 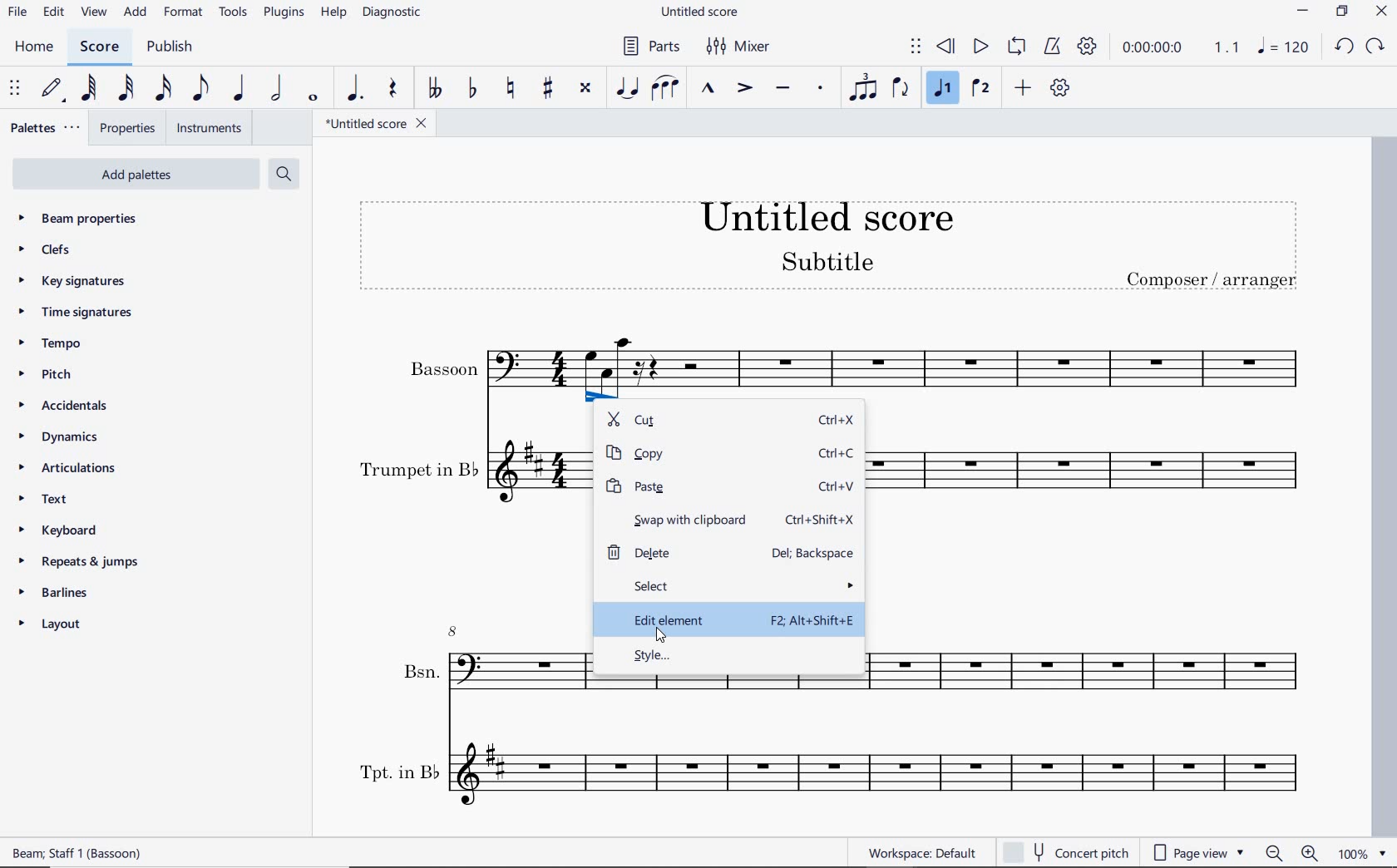 What do you see at coordinates (68, 282) in the screenshot?
I see `key signatures` at bounding box center [68, 282].